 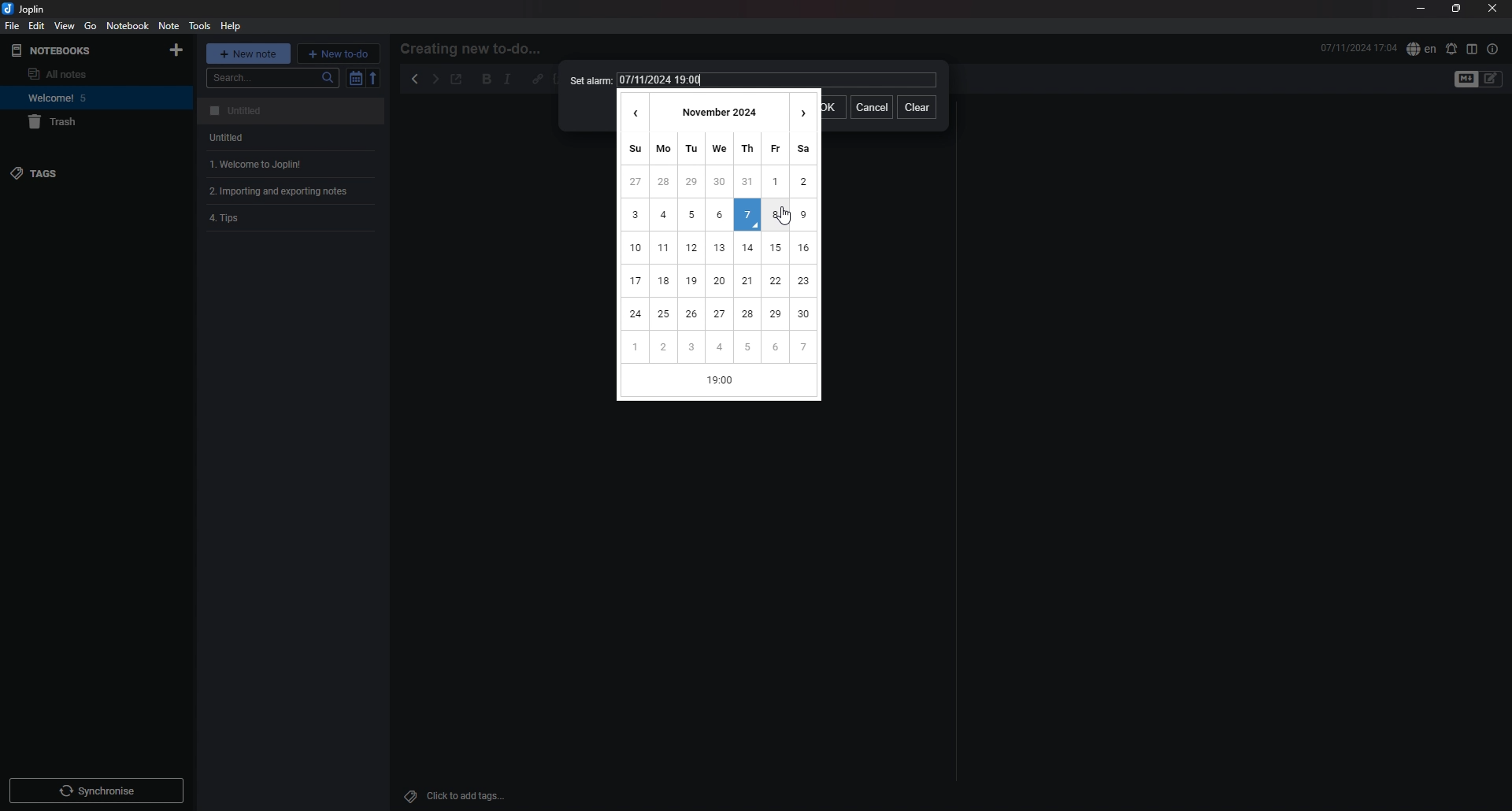 I want to click on new todo, so click(x=339, y=54).